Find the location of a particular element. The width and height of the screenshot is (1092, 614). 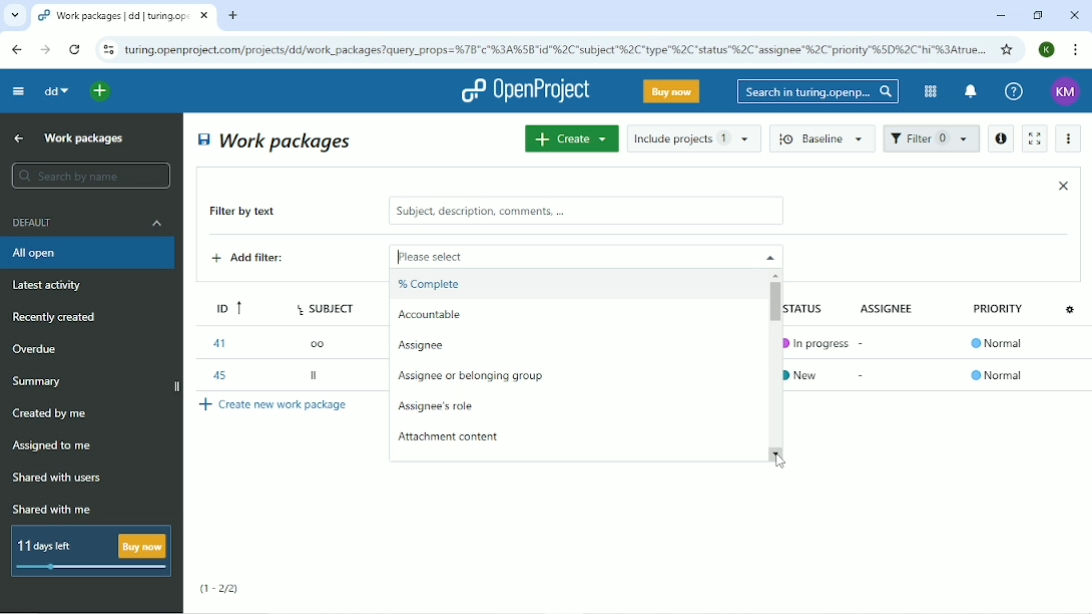

45 is located at coordinates (217, 373).